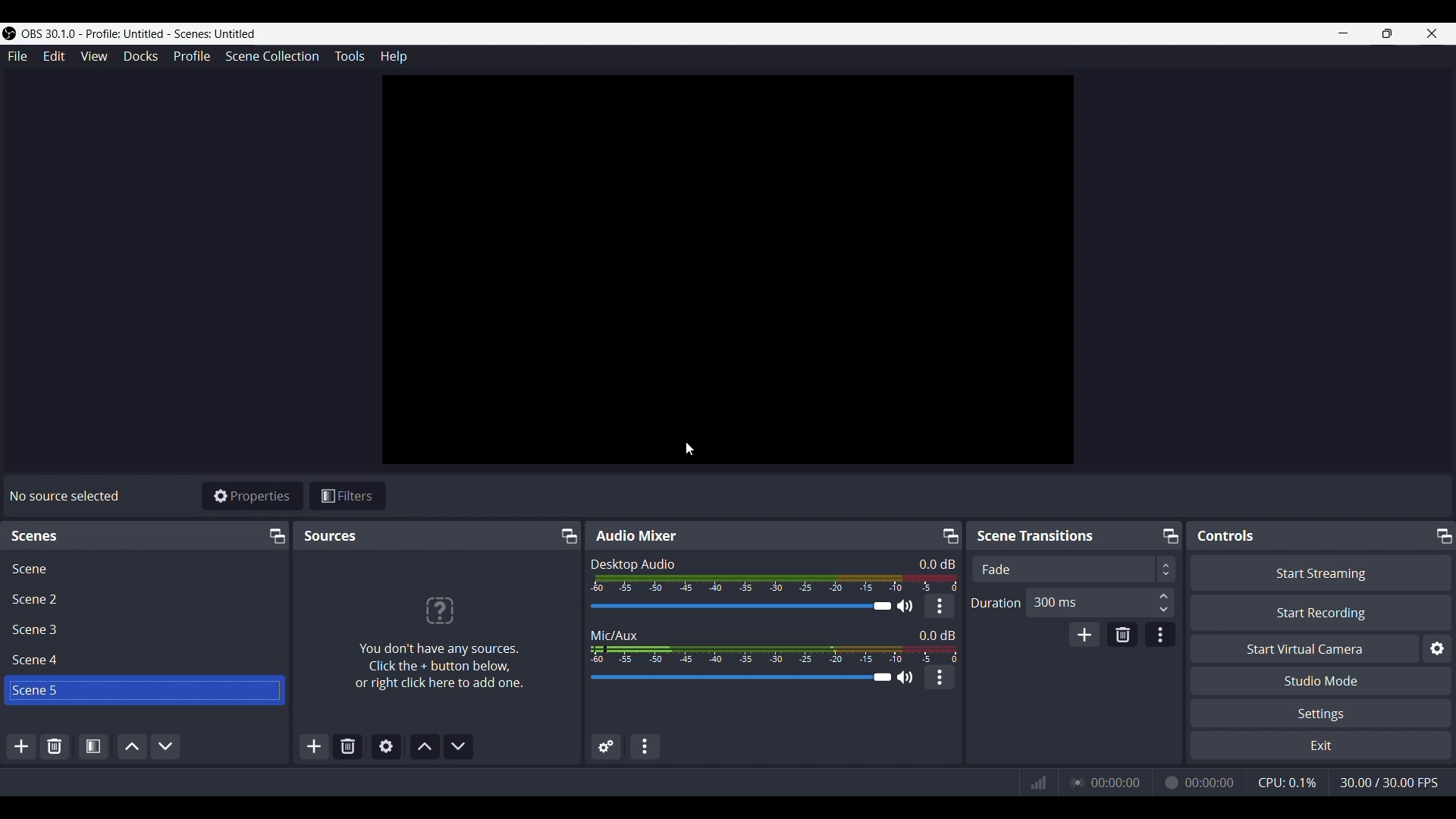 The width and height of the screenshot is (1456, 819). Describe the element at coordinates (773, 652) in the screenshot. I see `Volume Indicator` at that location.